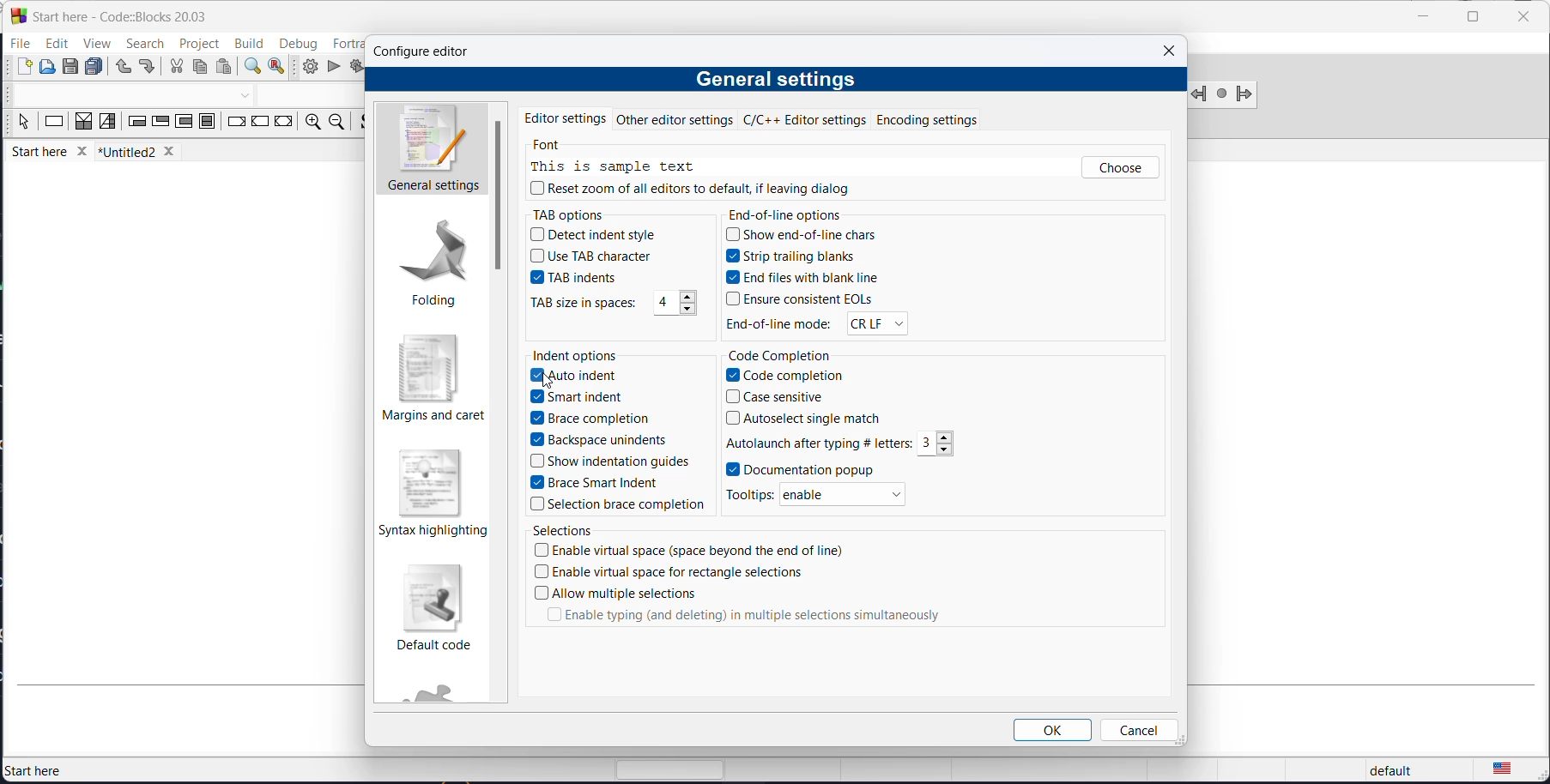 This screenshot has height=784, width=1550. What do you see at coordinates (247, 41) in the screenshot?
I see `Build` at bounding box center [247, 41].